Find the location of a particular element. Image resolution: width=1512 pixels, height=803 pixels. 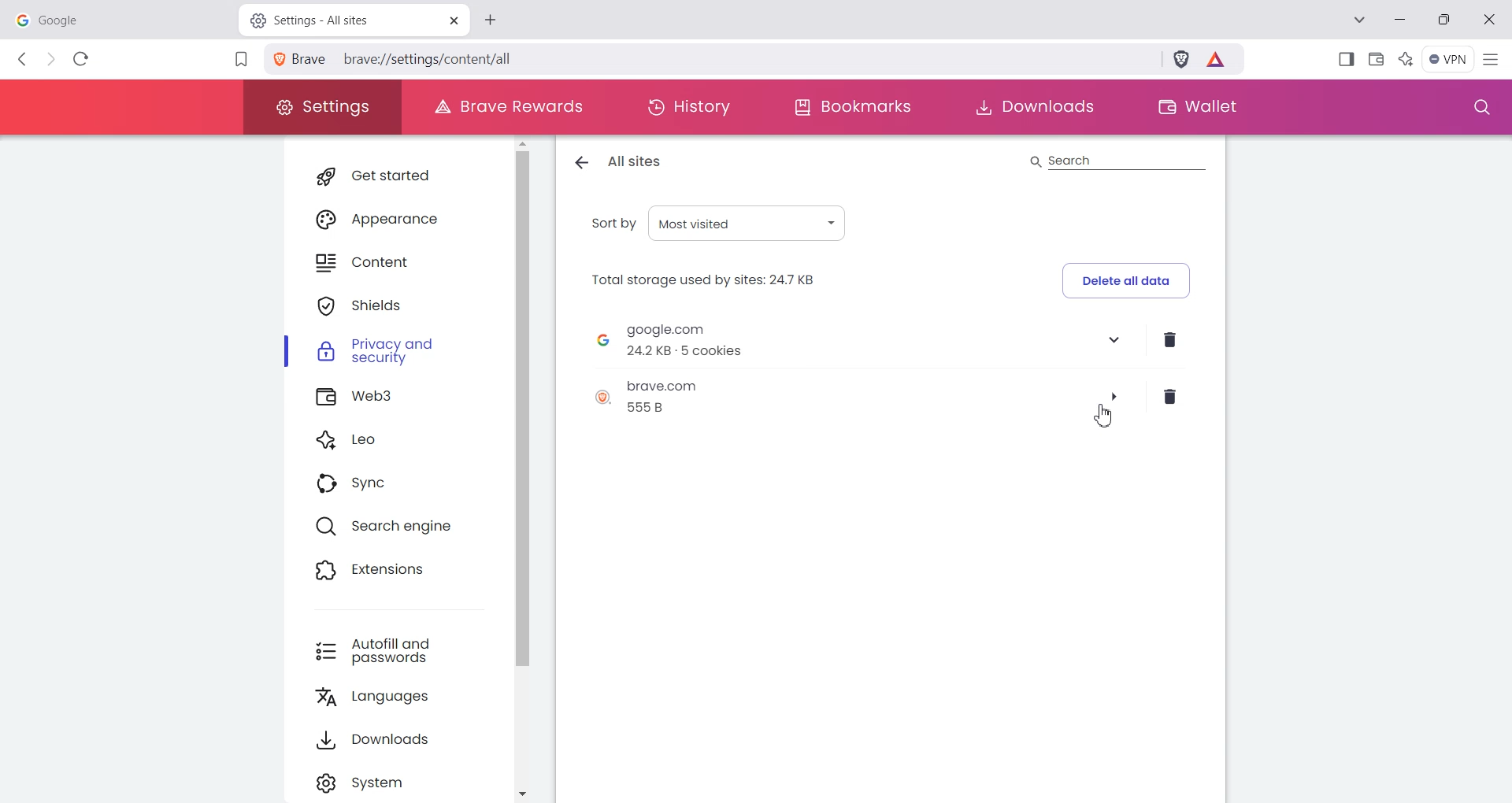

Sync is located at coordinates (387, 485).